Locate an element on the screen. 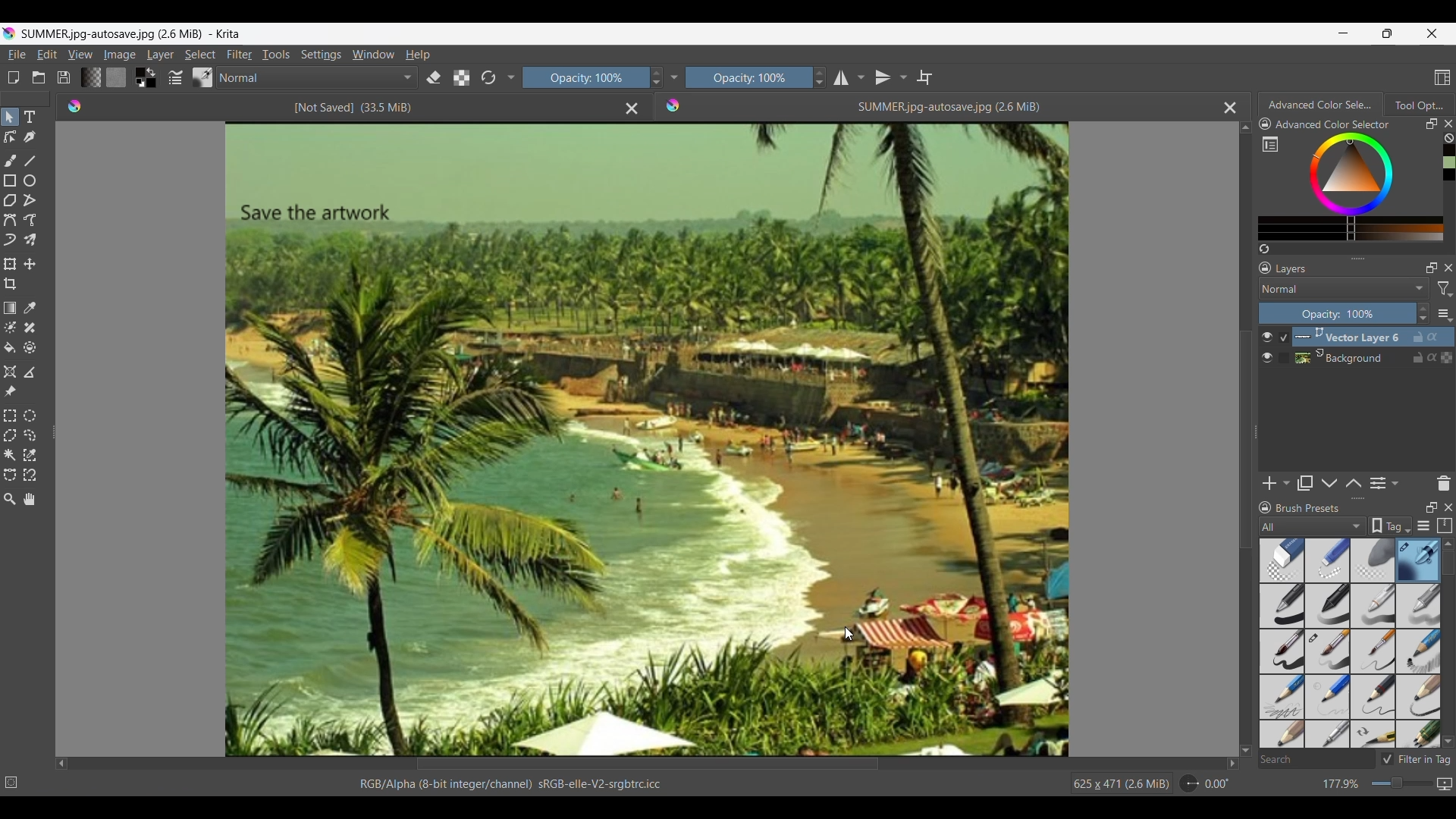 This screenshot has width=1456, height=819. Reference images tool is located at coordinates (10, 391).